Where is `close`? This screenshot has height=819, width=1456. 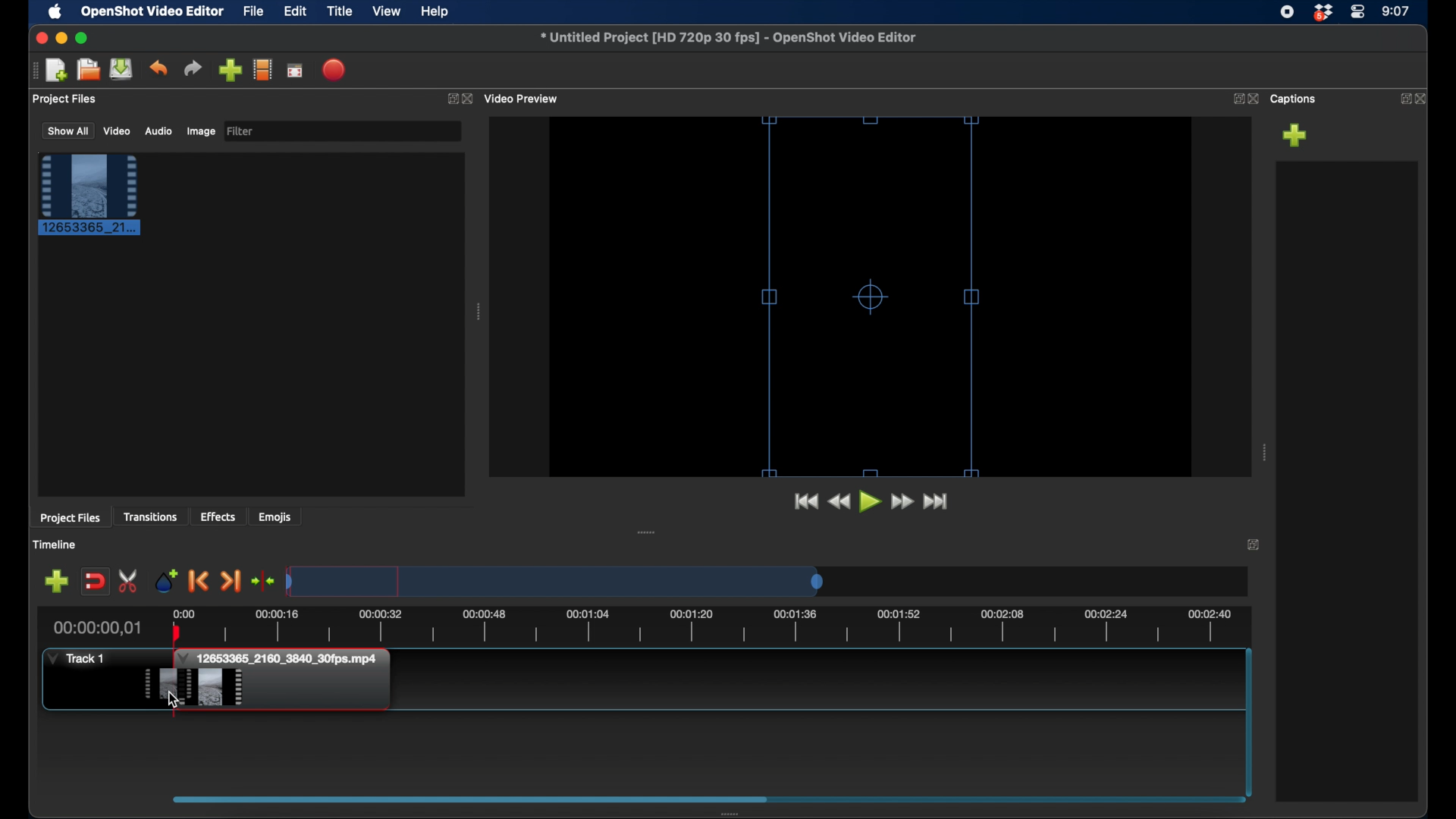
close is located at coordinates (471, 98).